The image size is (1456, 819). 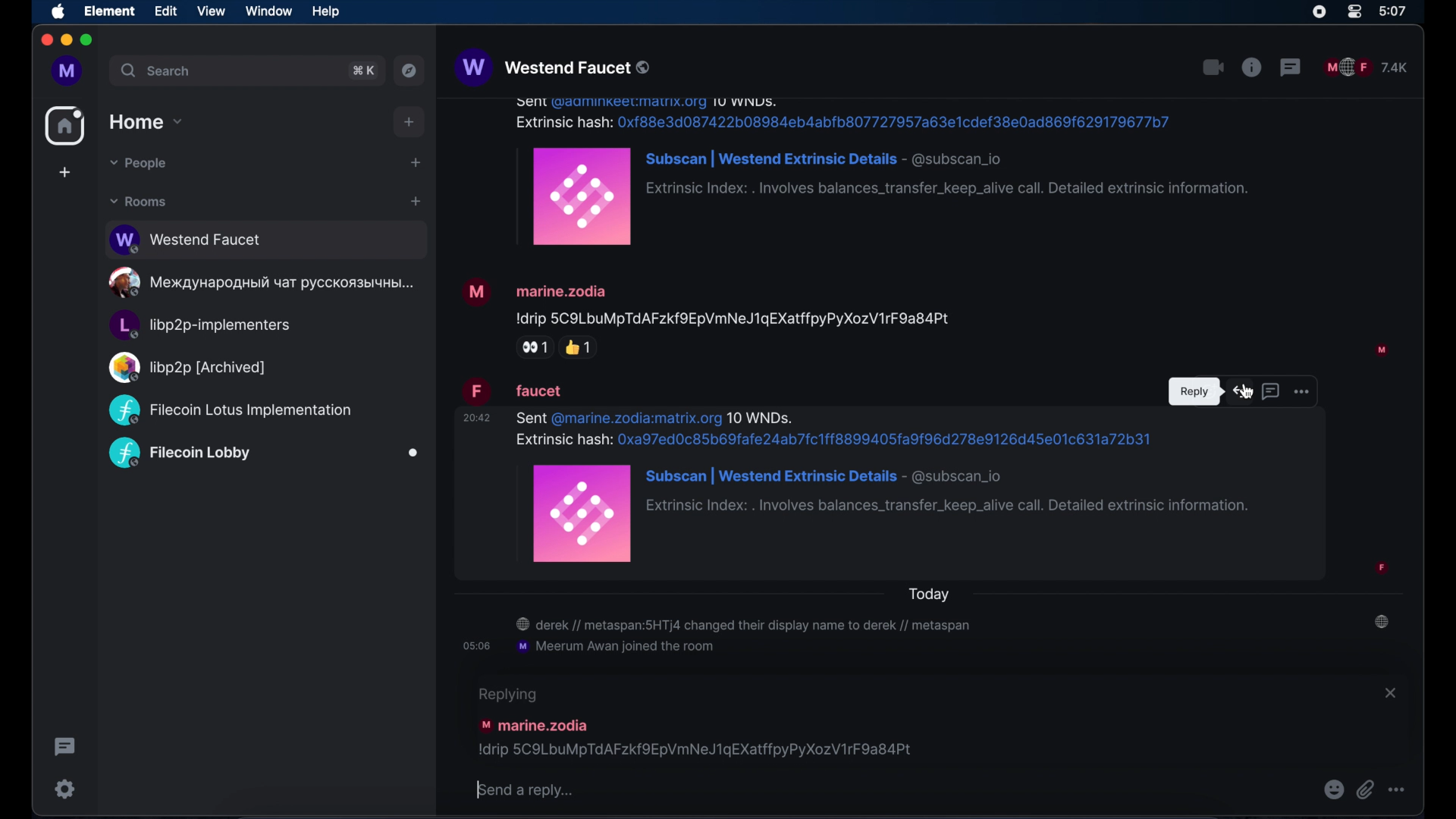 I want to click on emojis, so click(x=1333, y=789).